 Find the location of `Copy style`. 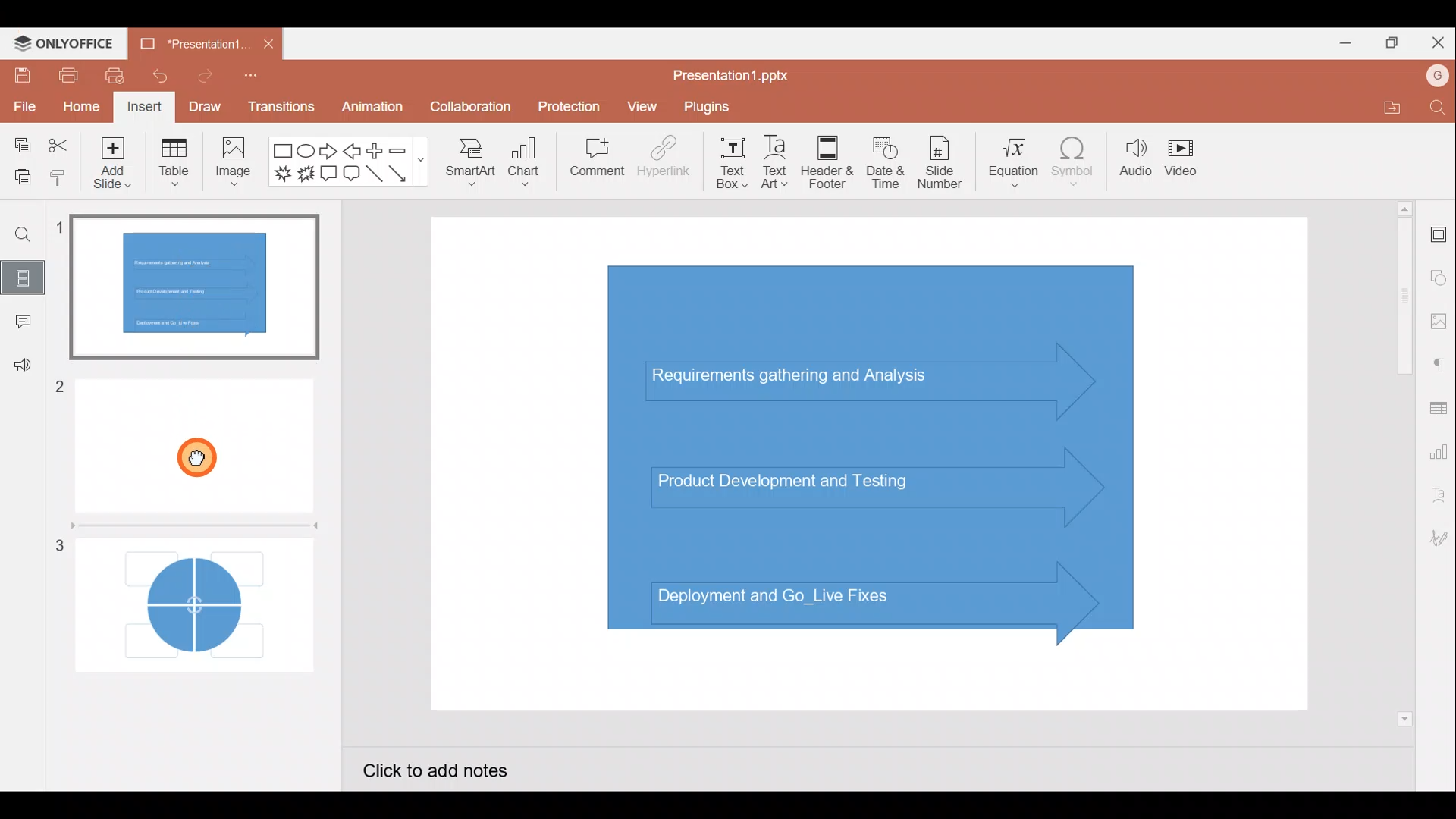

Copy style is located at coordinates (59, 177).